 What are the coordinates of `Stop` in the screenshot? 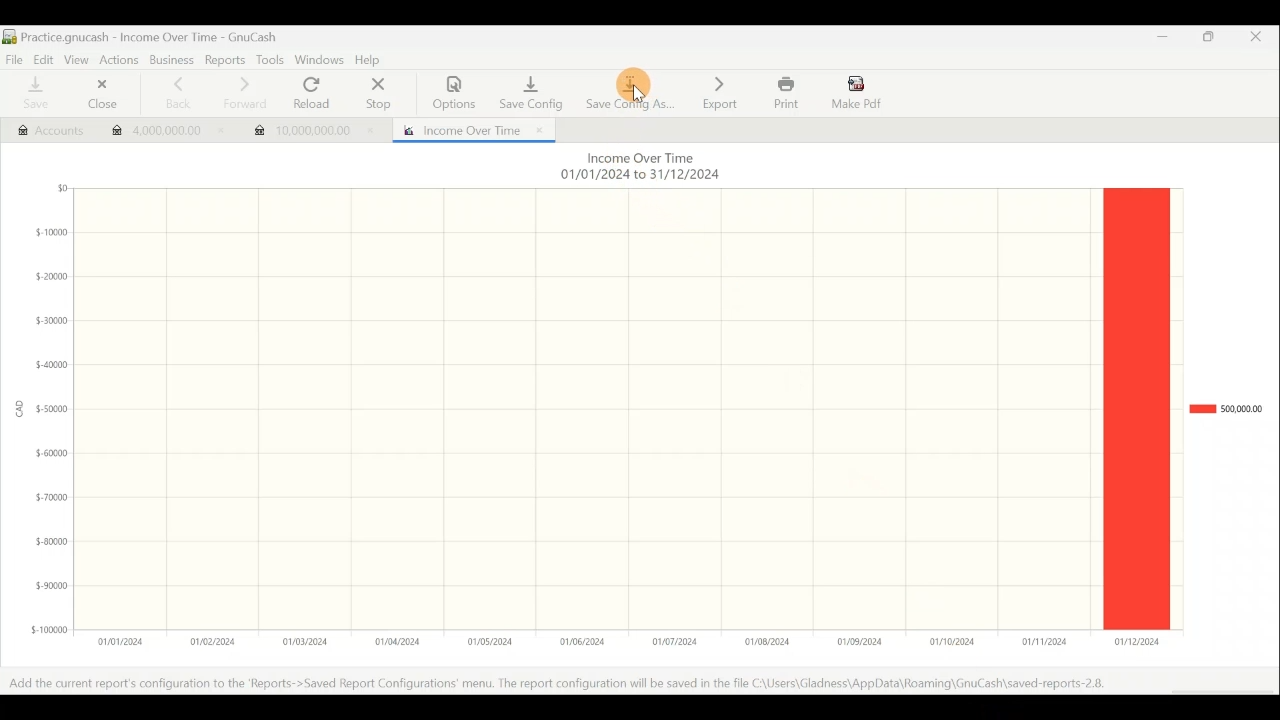 It's located at (376, 95).